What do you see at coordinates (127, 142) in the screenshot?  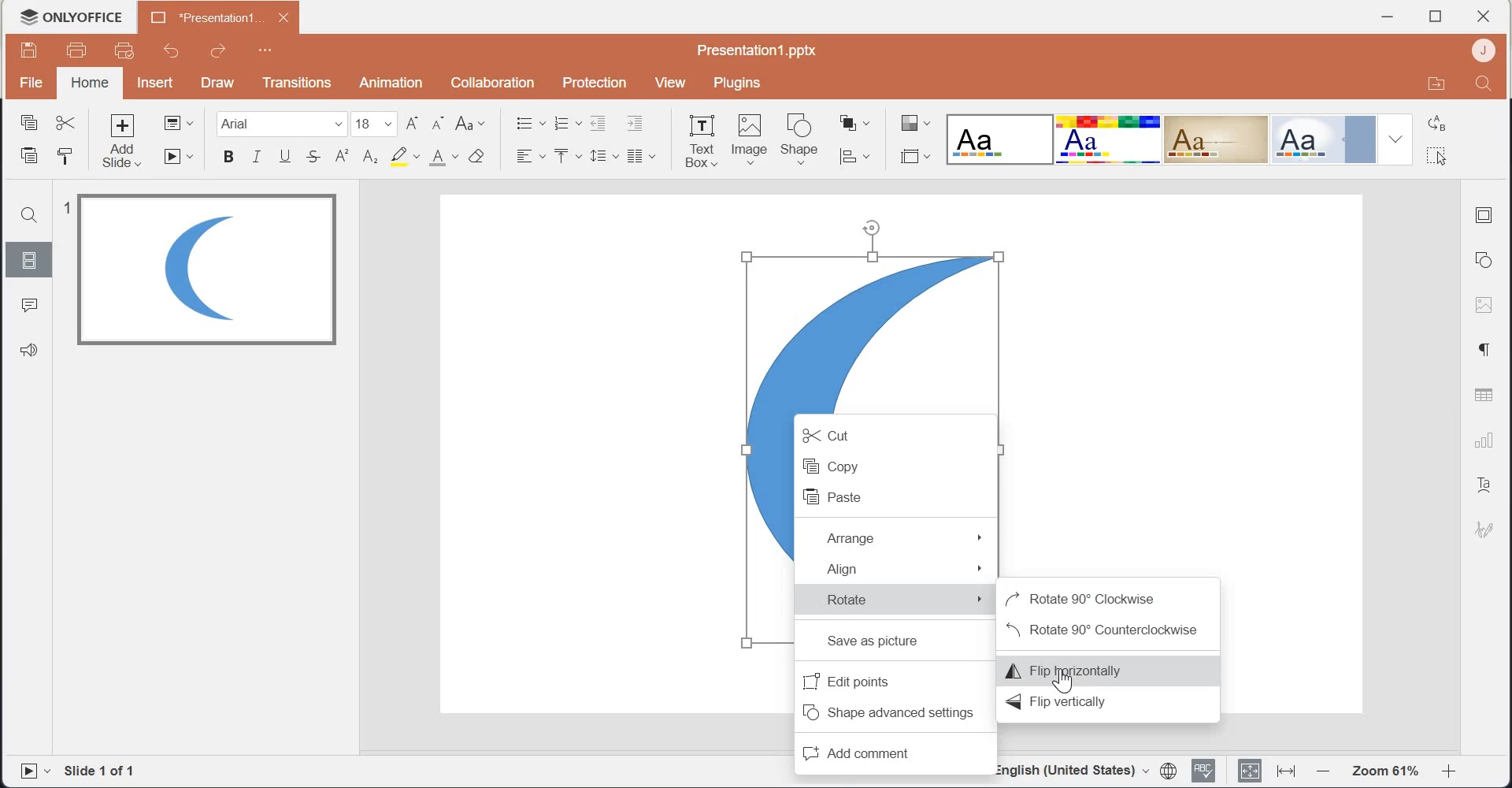 I see `Add slide` at bounding box center [127, 142].